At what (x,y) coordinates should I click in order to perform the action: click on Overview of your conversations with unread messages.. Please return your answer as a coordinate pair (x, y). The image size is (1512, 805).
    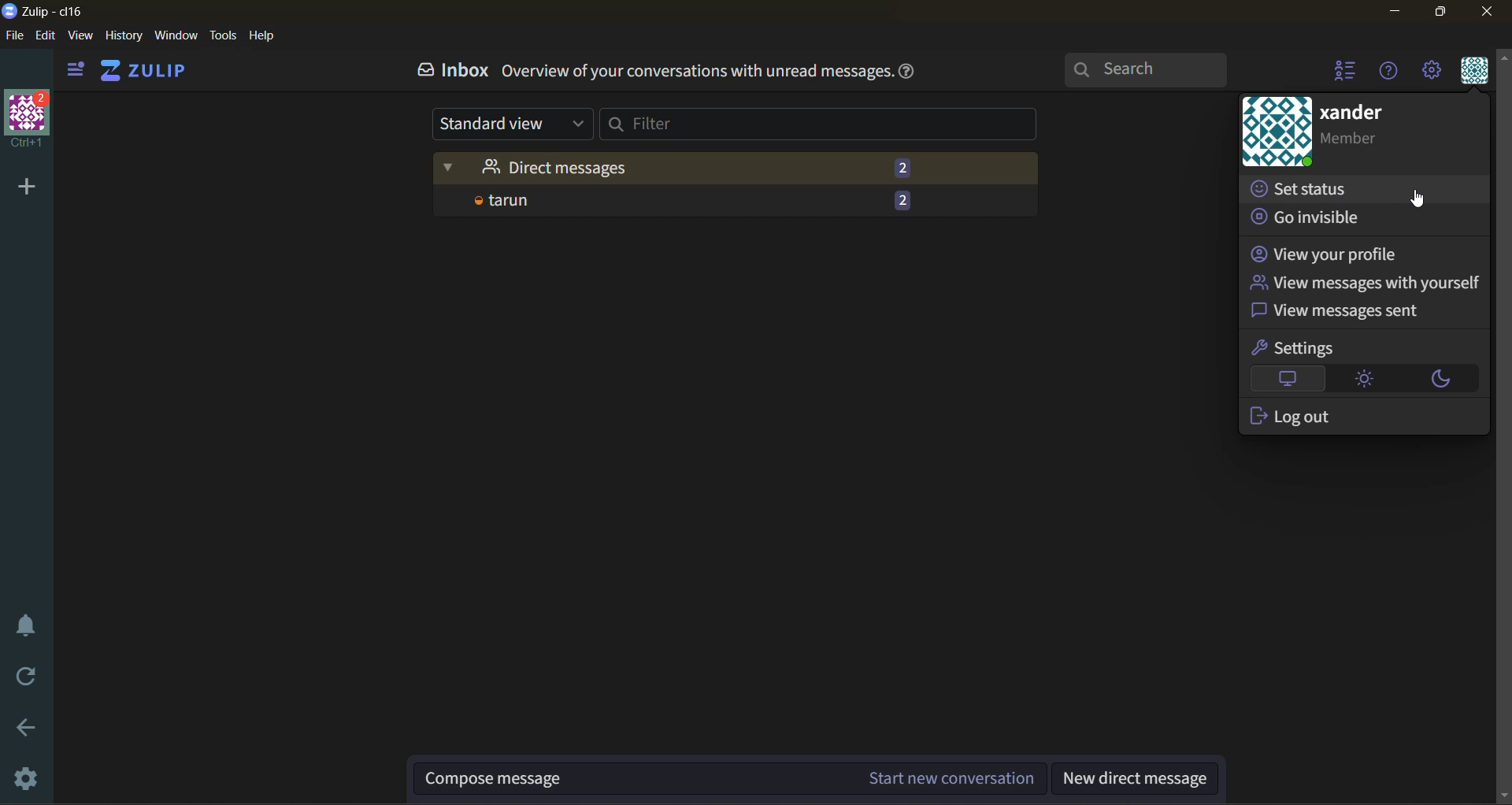
    Looking at the image, I should click on (696, 73).